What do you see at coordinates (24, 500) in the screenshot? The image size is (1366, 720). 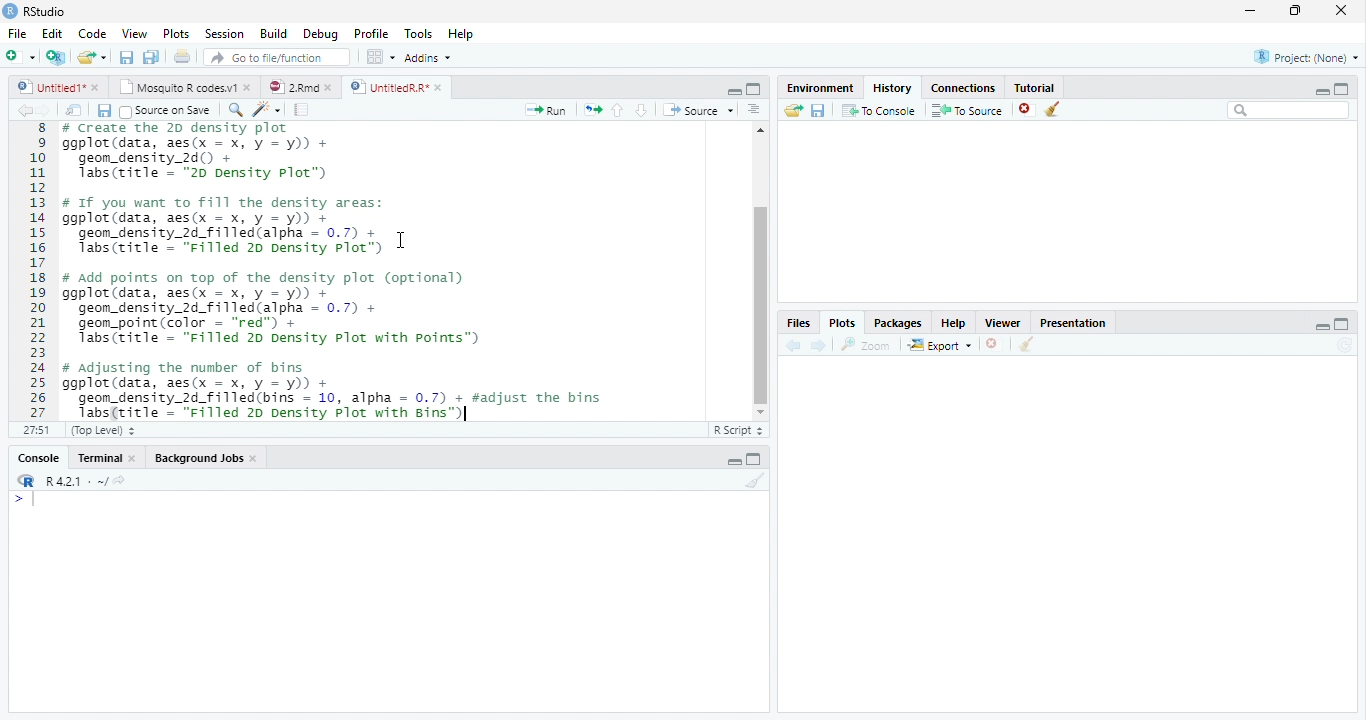 I see `>` at bounding box center [24, 500].